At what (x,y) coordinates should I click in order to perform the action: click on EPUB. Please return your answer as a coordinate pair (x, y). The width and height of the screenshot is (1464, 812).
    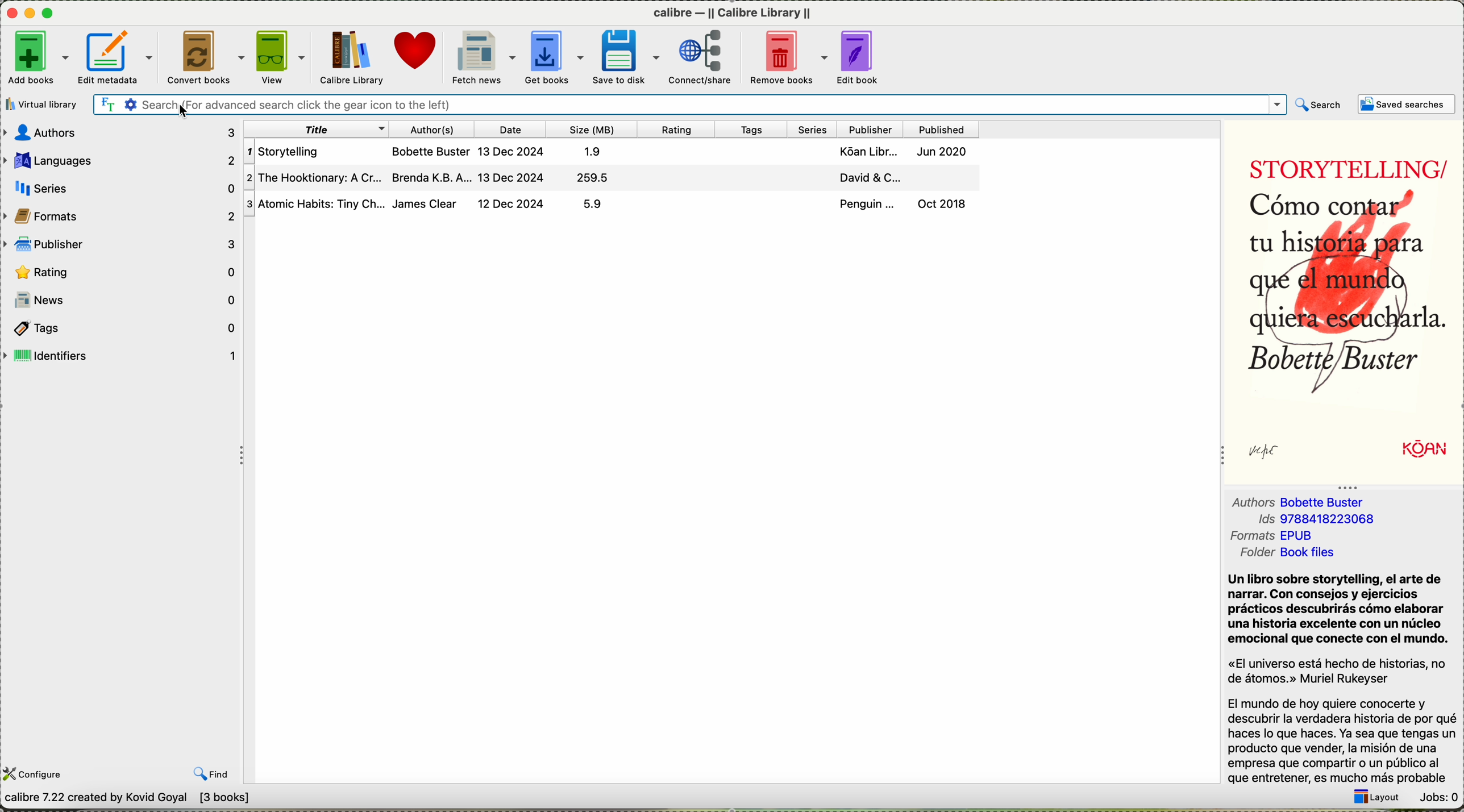
    Looking at the image, I should click on (1303, 536).